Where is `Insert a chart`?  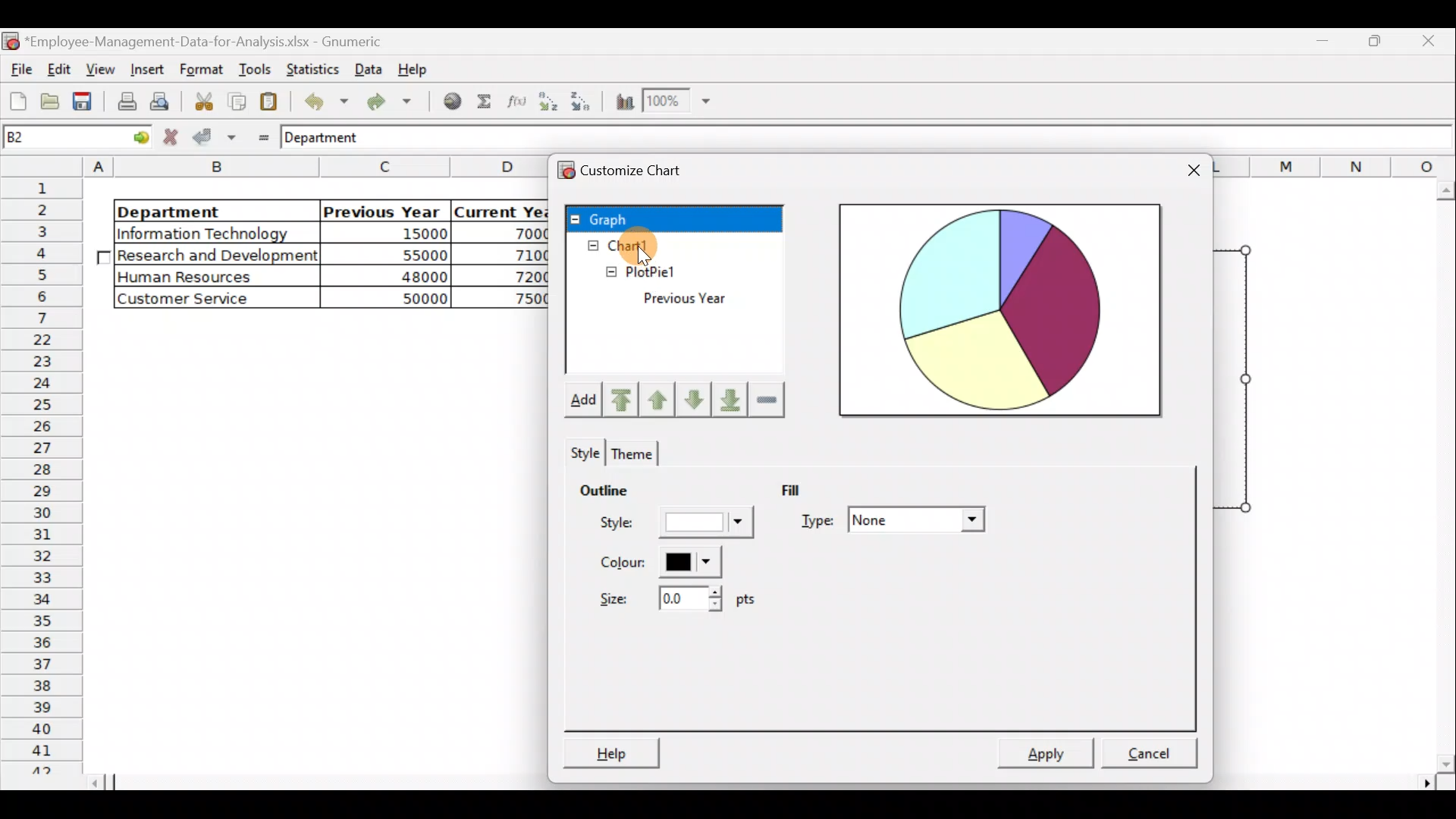 Insert a chart is located at coordinates (623, 102).